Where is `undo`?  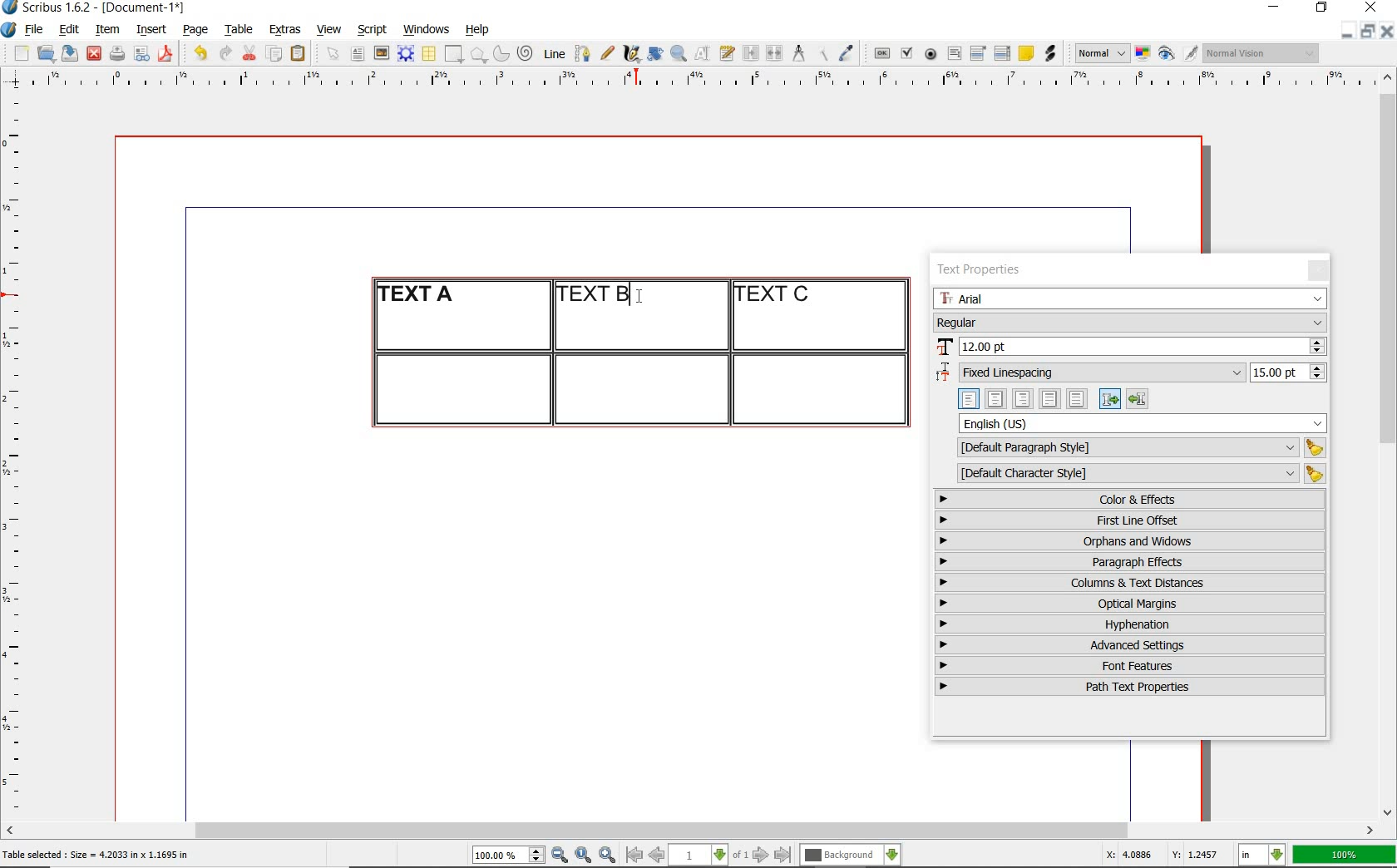 undo is located at coordinates (200, 53).